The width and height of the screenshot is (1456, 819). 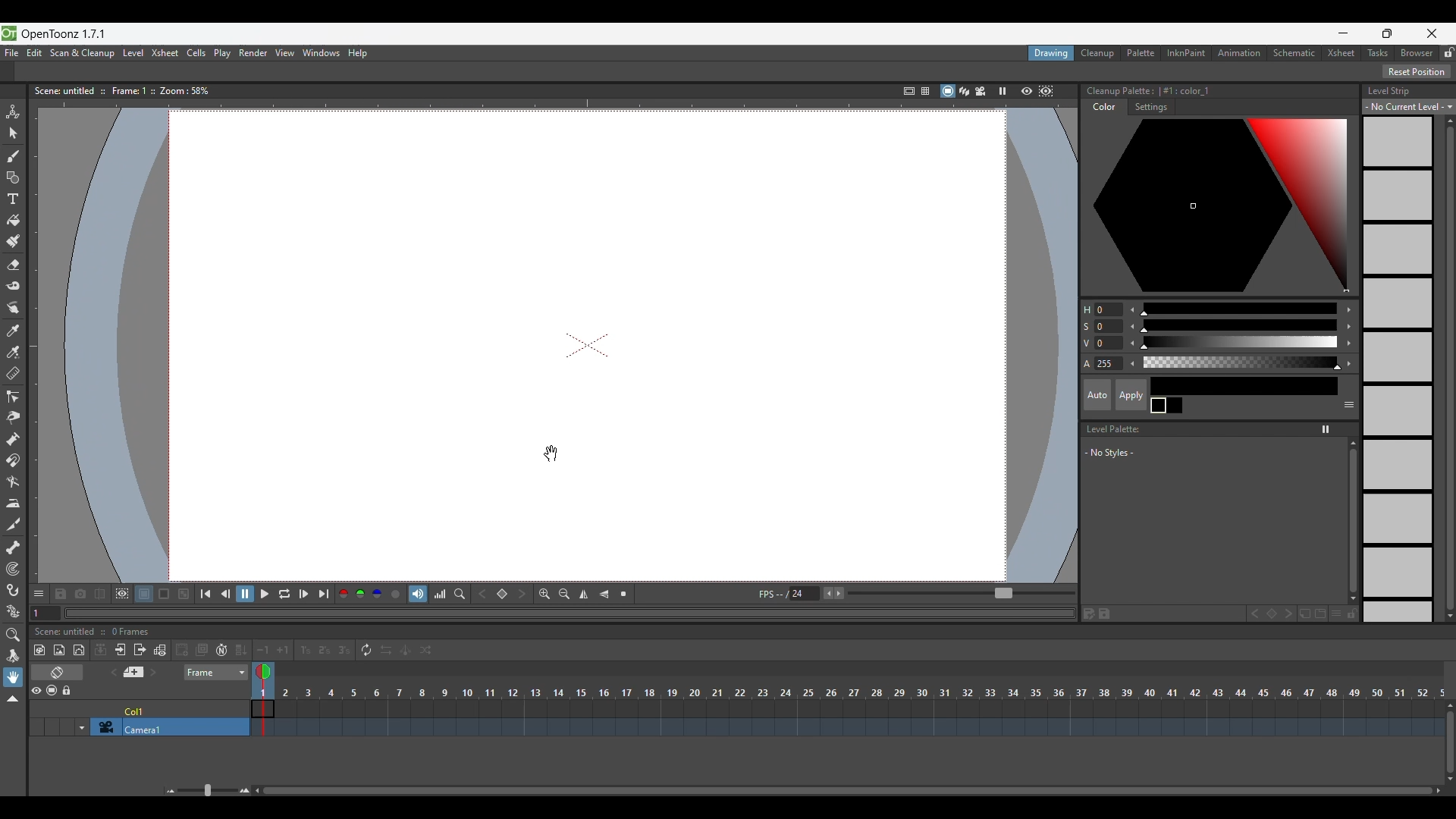 I want to click on Change color modification manually, so click(x=1108, y=336).